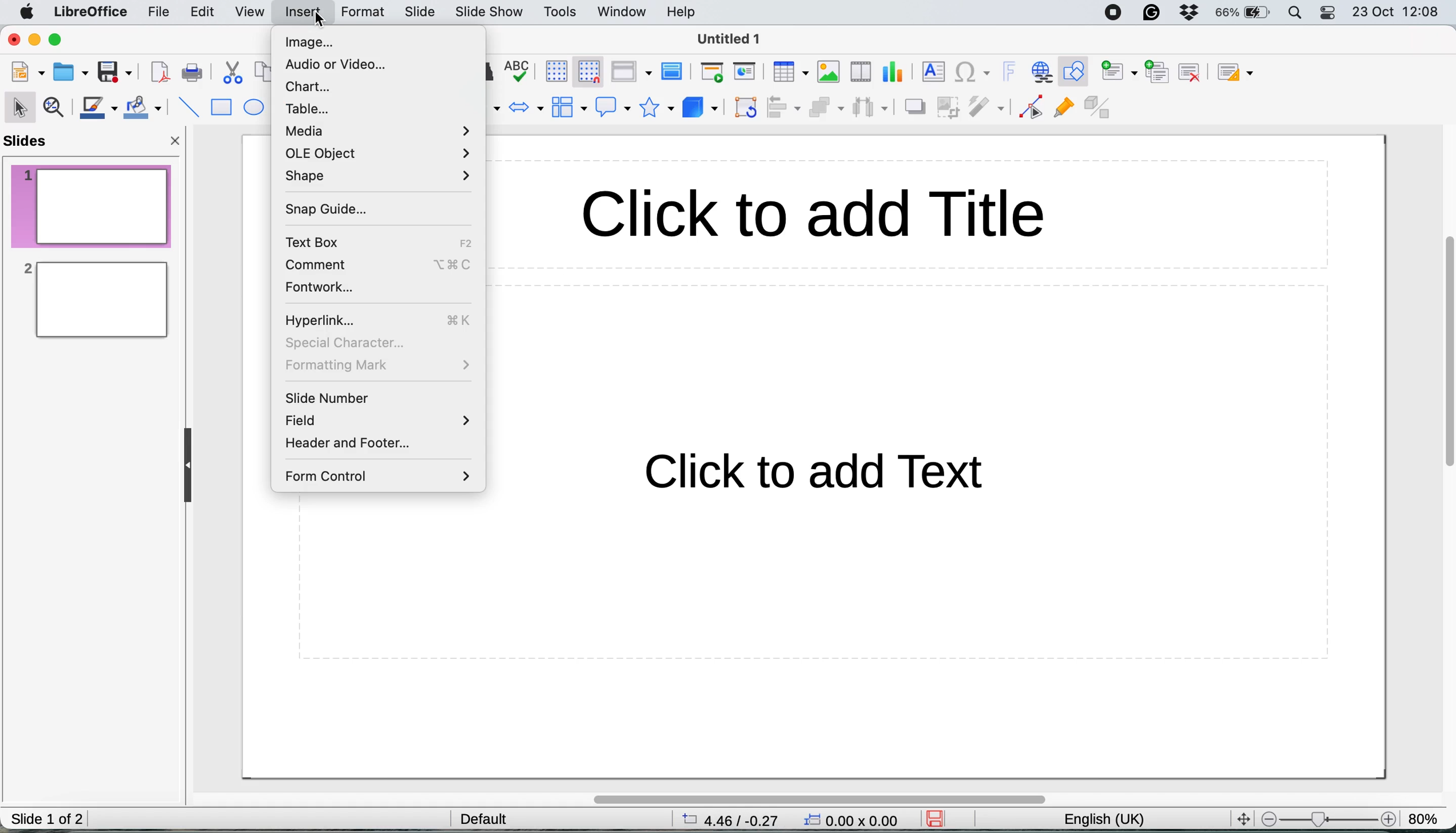 Image resolution: width=1456 pixels, height=833 pixels. What do you see at coordinates (989, 108) in the screenshot?
I see `filter` at bounding box center [989, 108].